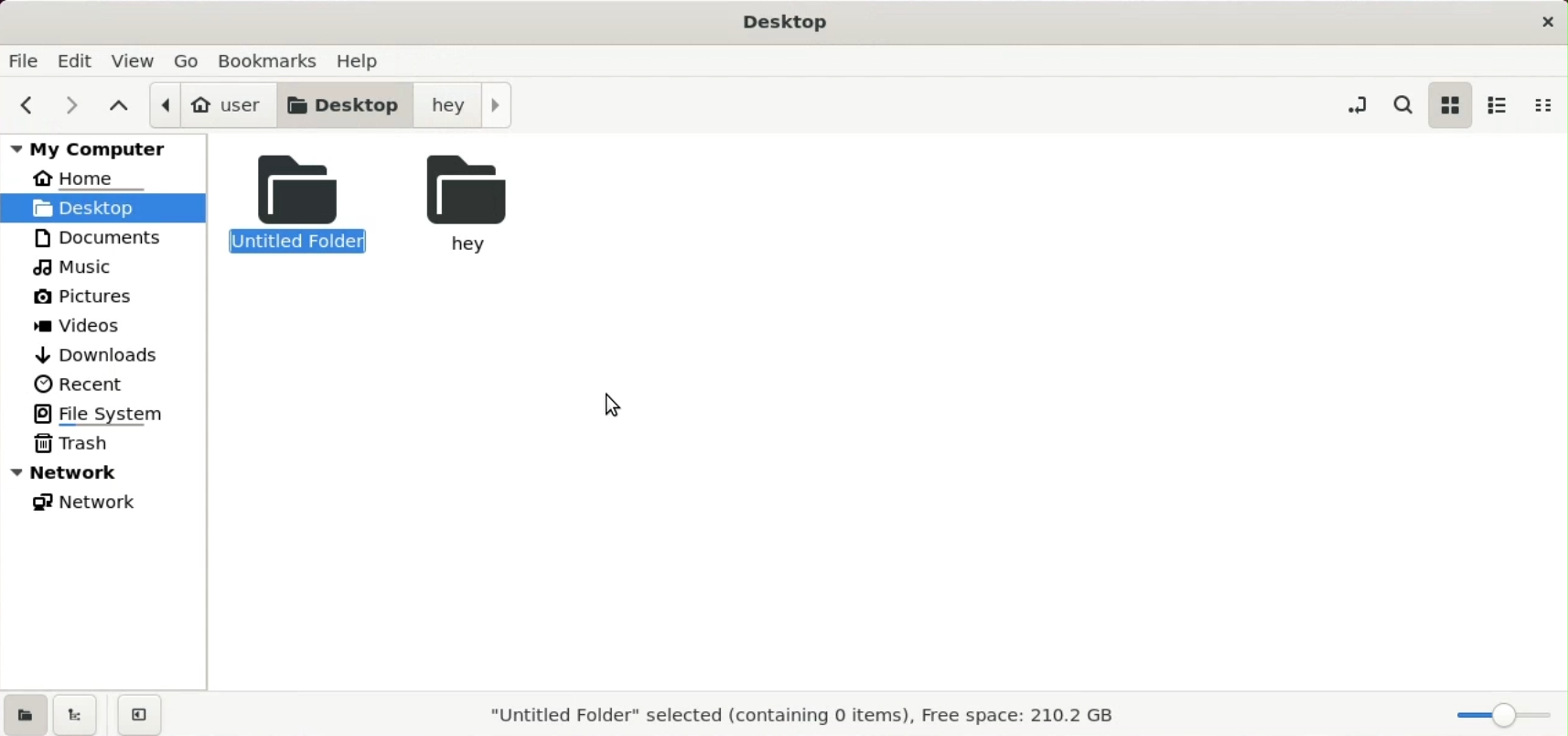  What do you see at coordinates (24, 714) in the screenshot?
I see `show places` at bounding box center [24, 714].